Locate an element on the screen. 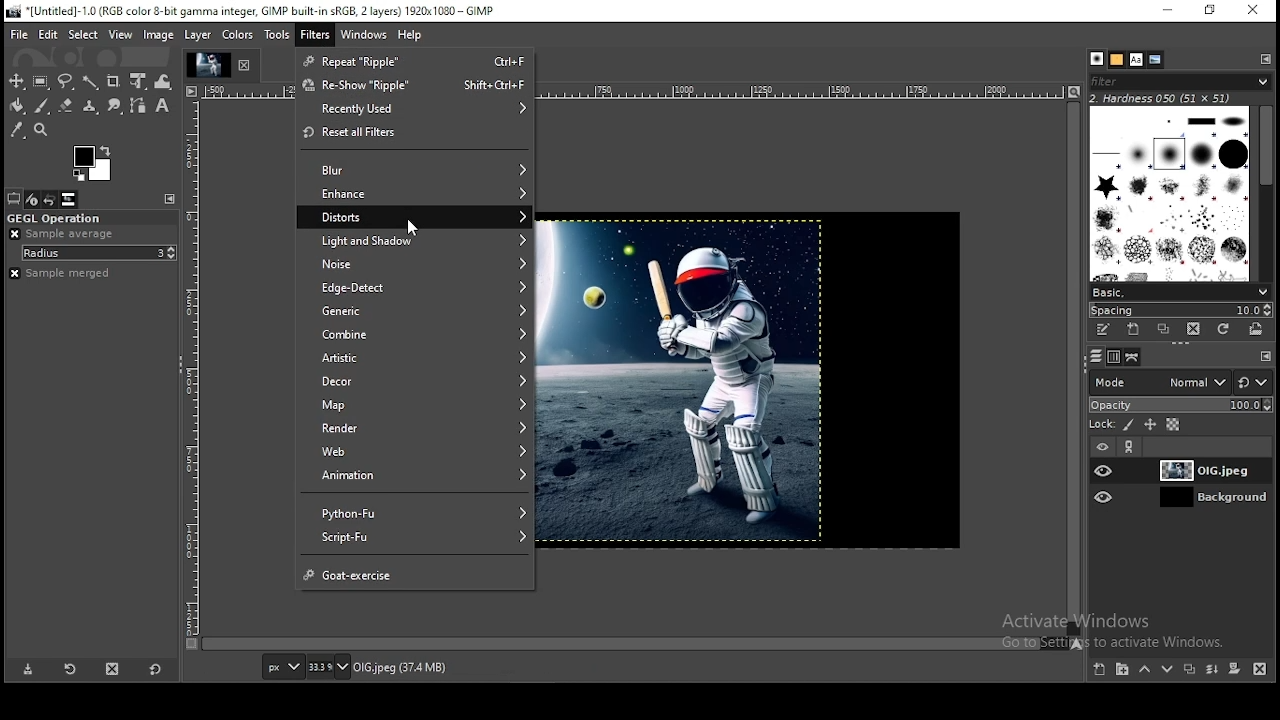 Image resolution: width=1280 pixels, height=720 pixels. layer 1 is located at coordinates (1196, 497).